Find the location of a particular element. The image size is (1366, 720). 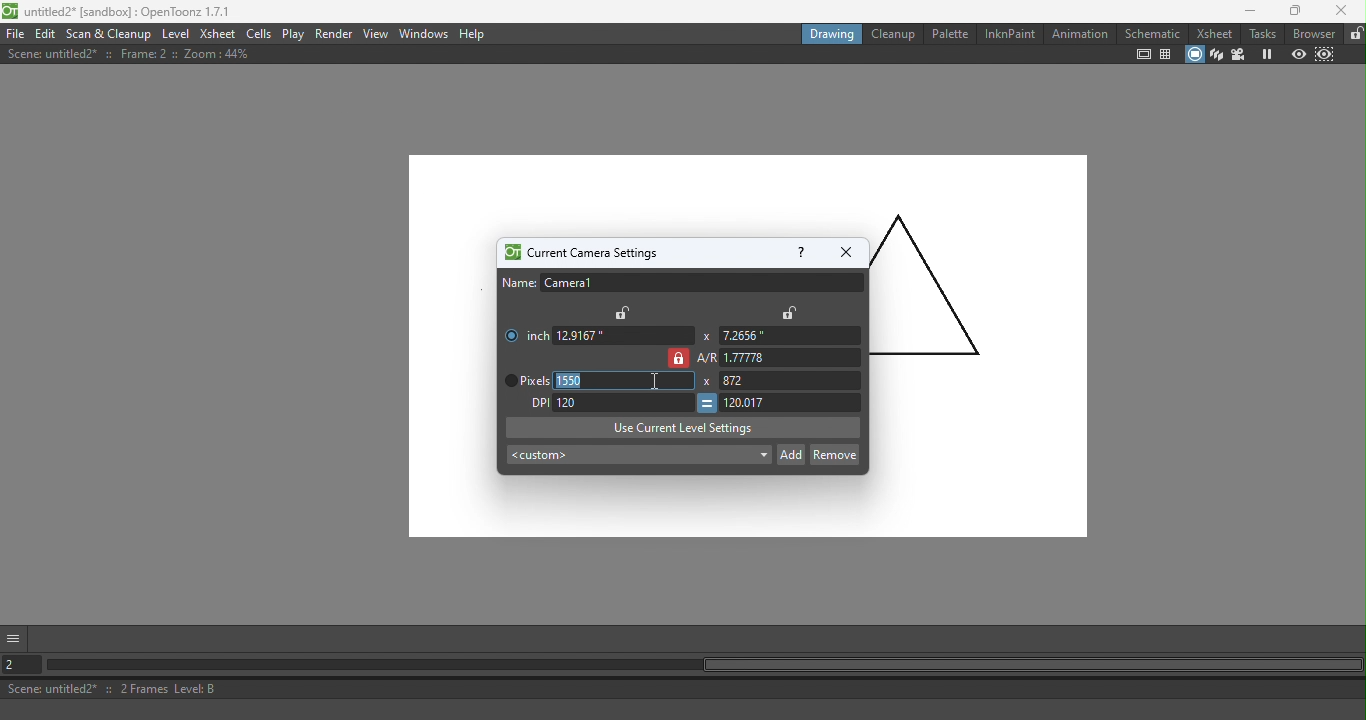

Lock is located at coordinates (624, 312).